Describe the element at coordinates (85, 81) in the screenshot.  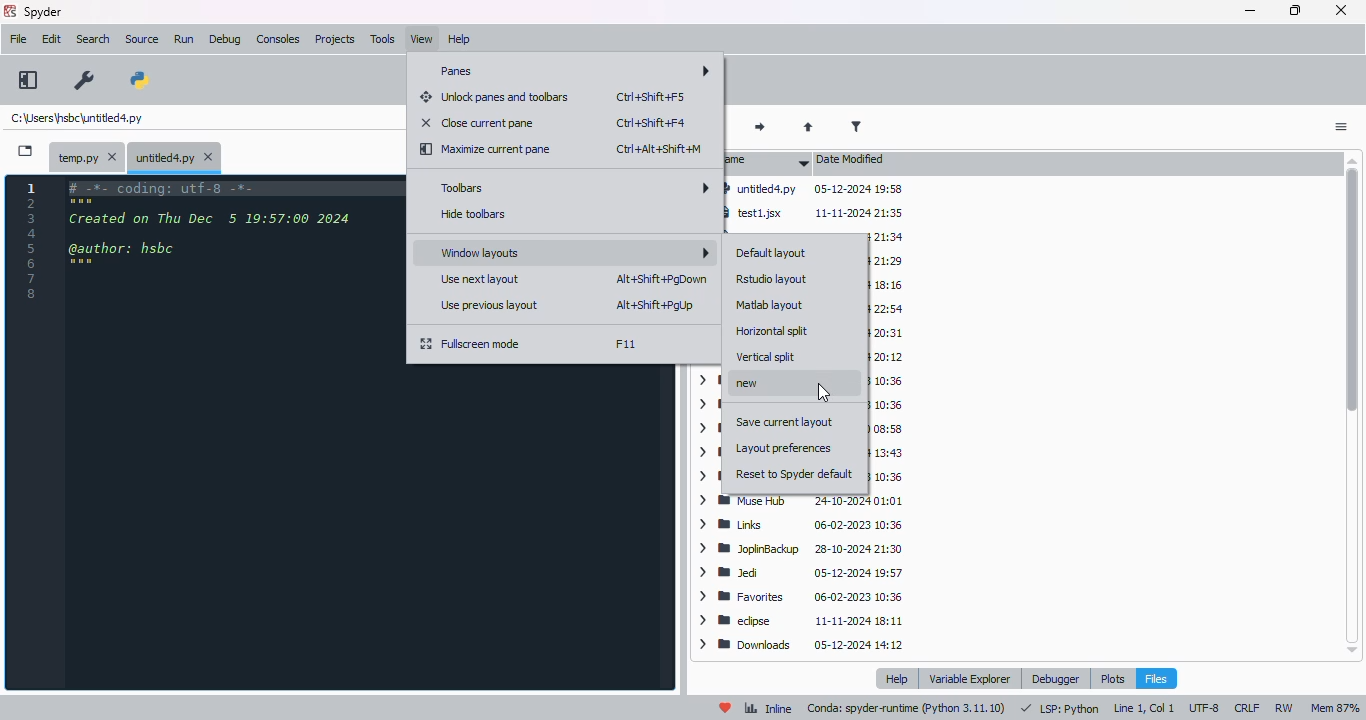
I see `preferences` at that location.